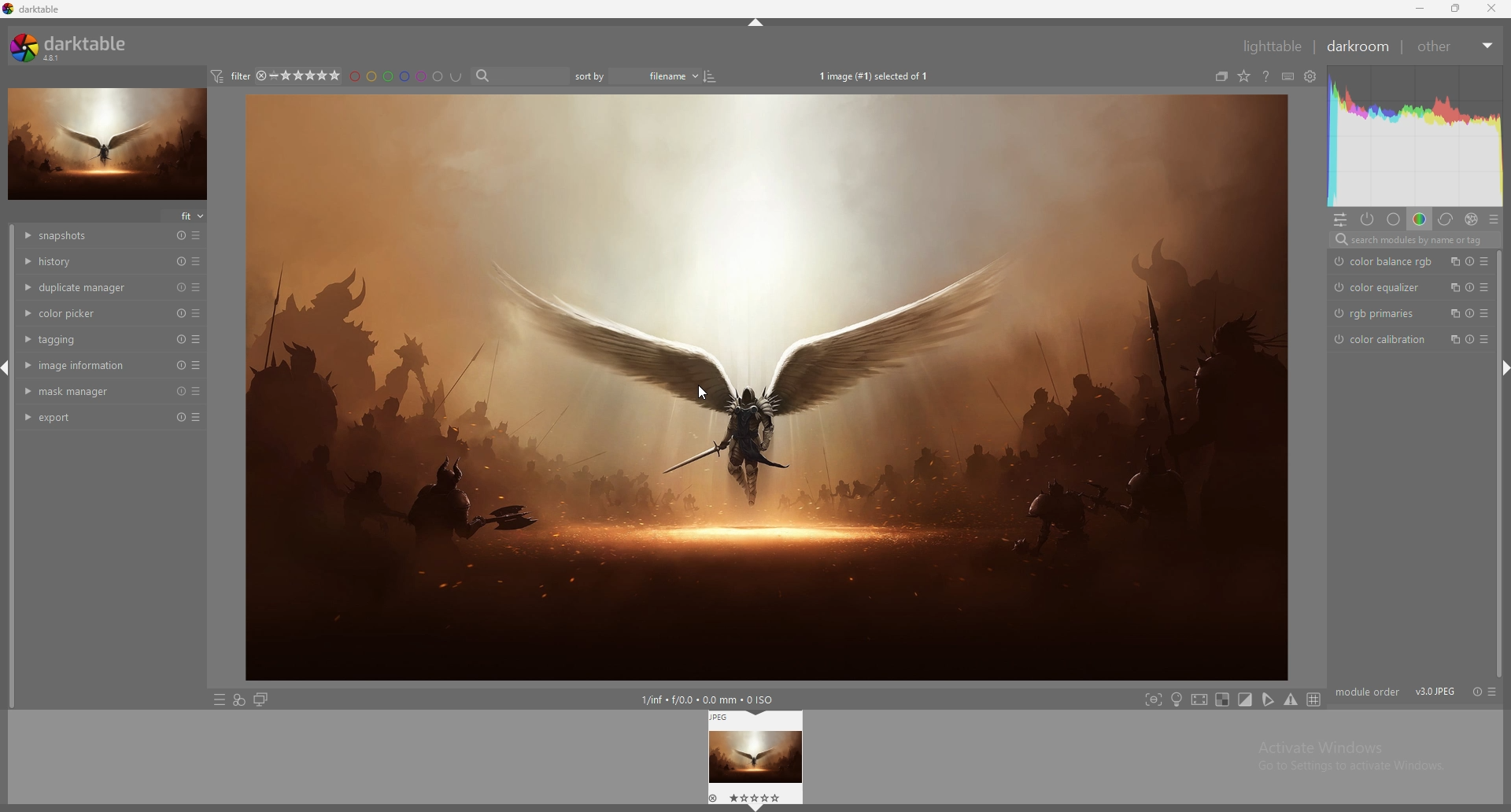  I want to click on resize, so click(1458, 9).